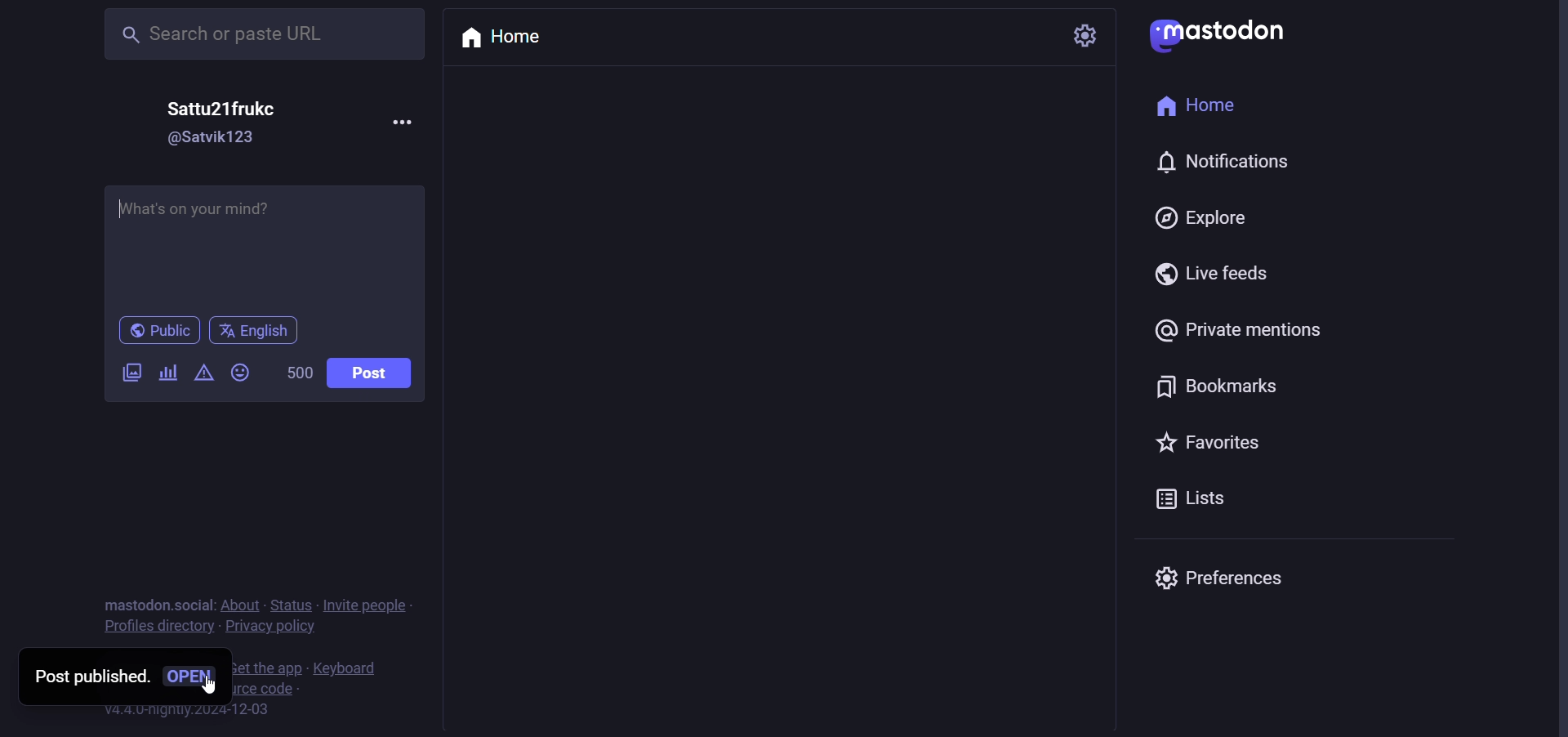 The width and height of the screenshot is (1568, 737). Describe the element at coordinates (290, 603) in the screenshot. I see `status` at that location.